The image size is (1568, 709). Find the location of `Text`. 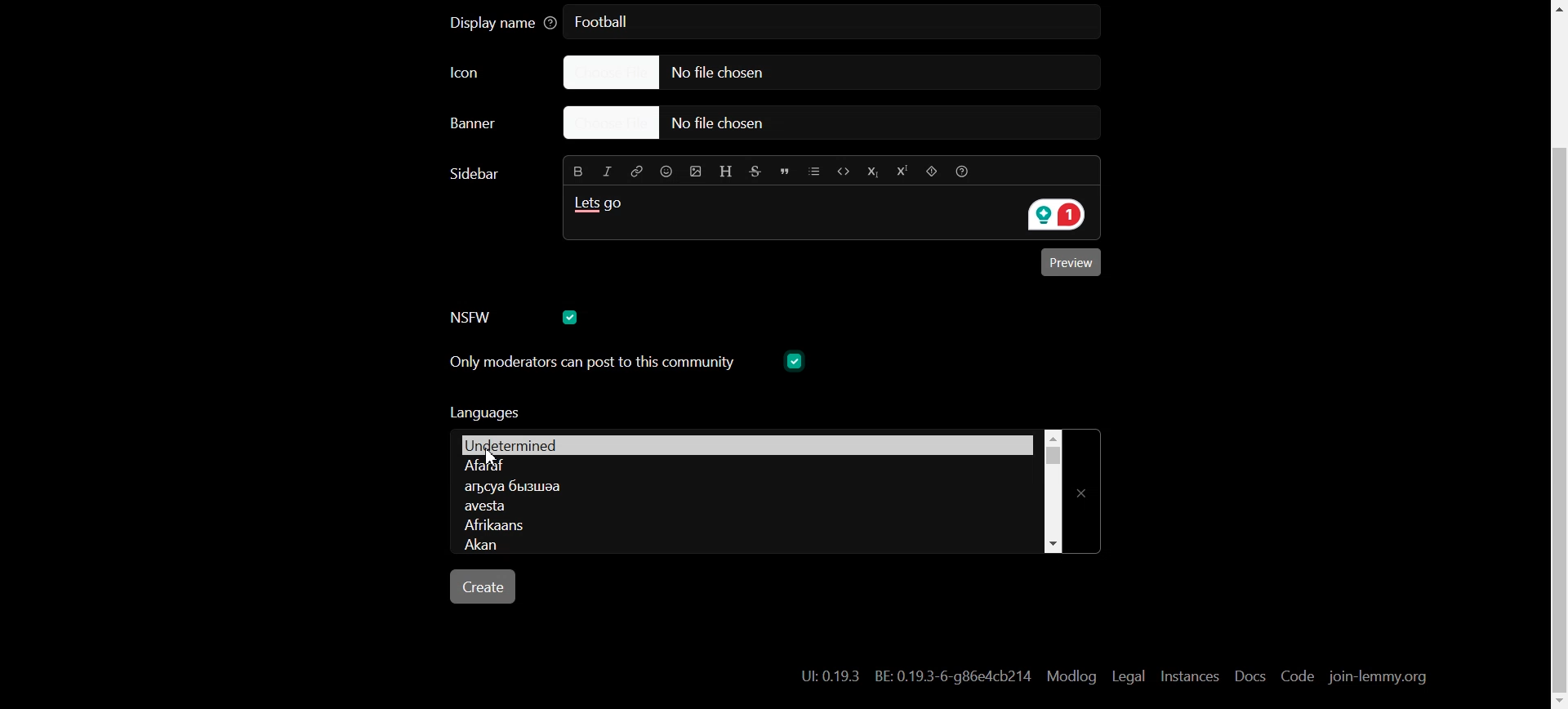

Text is located at coordinates (608, 23).